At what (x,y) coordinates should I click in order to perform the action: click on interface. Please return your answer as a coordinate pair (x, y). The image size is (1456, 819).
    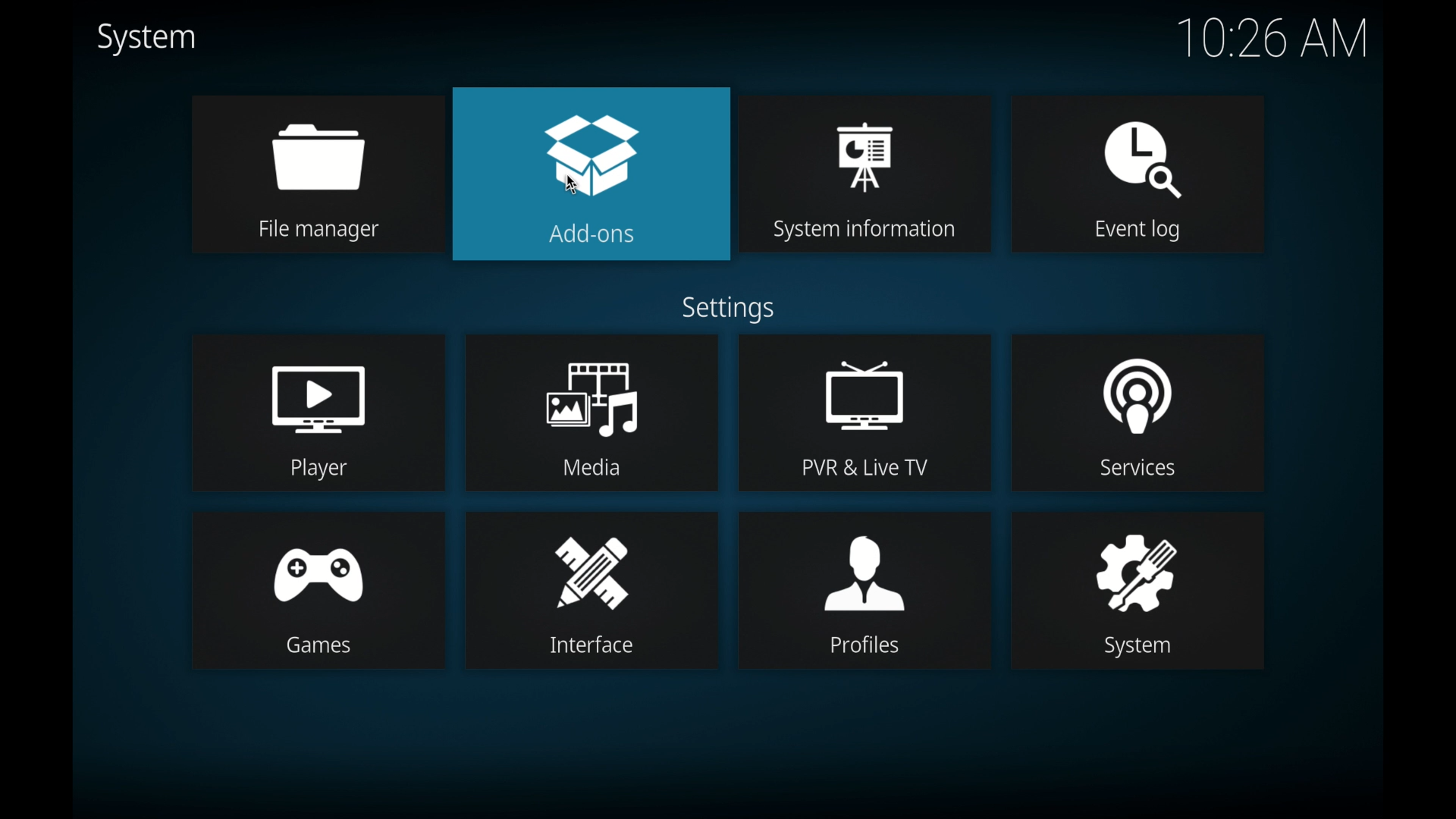
    Looking at the image, I should click on (591, 591).